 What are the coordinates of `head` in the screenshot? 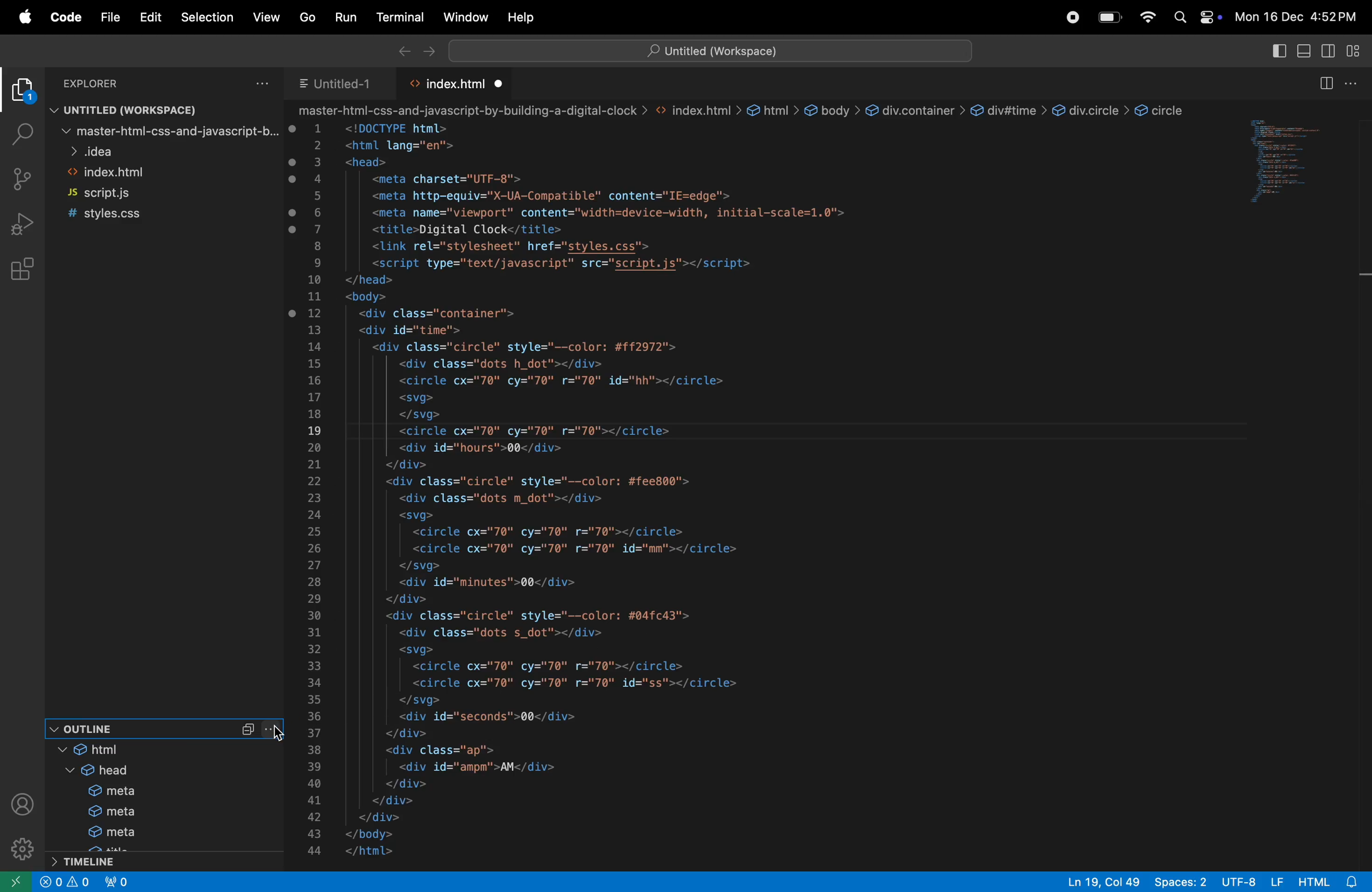 It's located at (96, 771).